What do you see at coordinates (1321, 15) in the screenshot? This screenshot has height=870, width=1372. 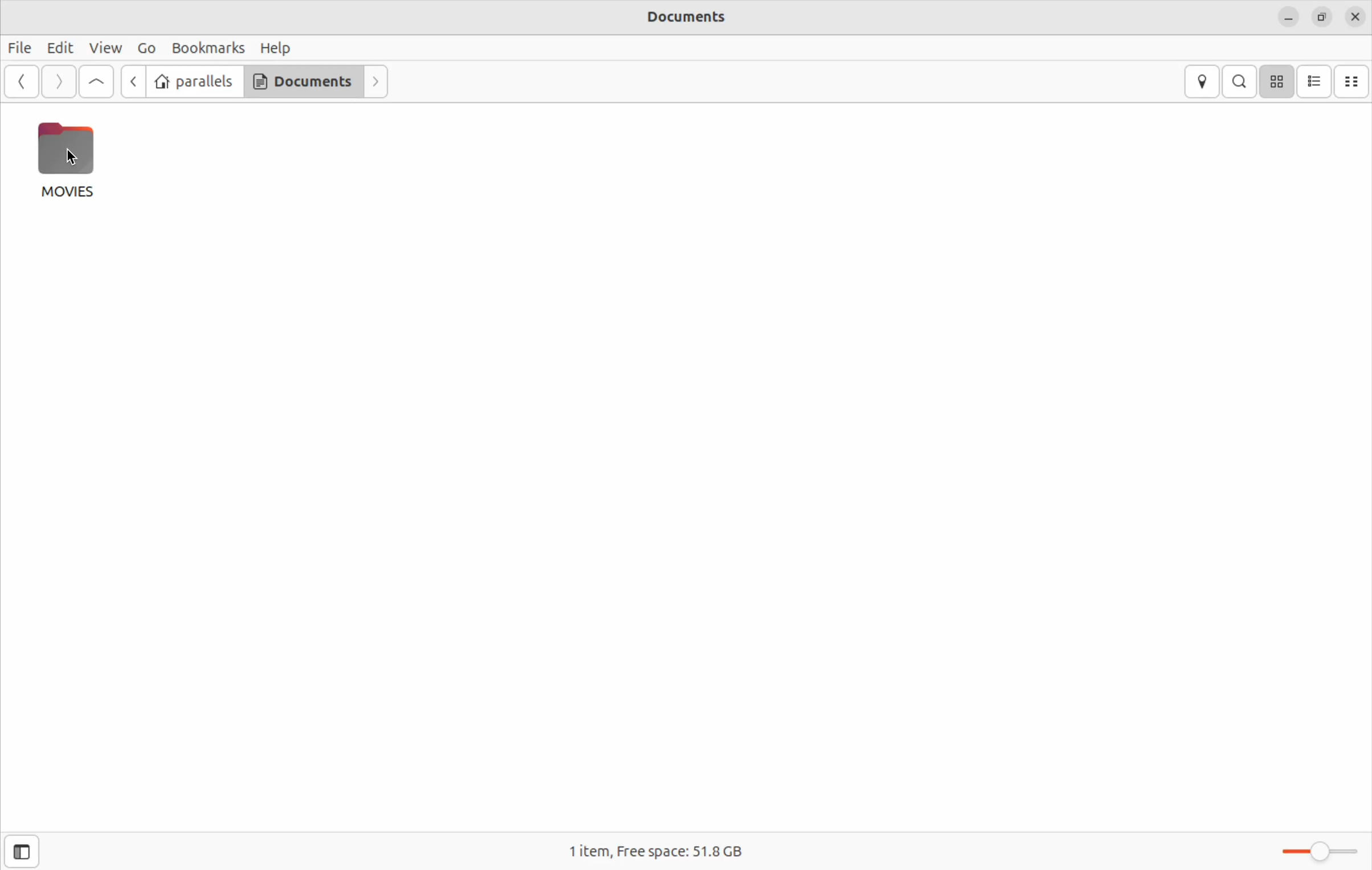 I see `resize` at bounding box center [1321, 15].